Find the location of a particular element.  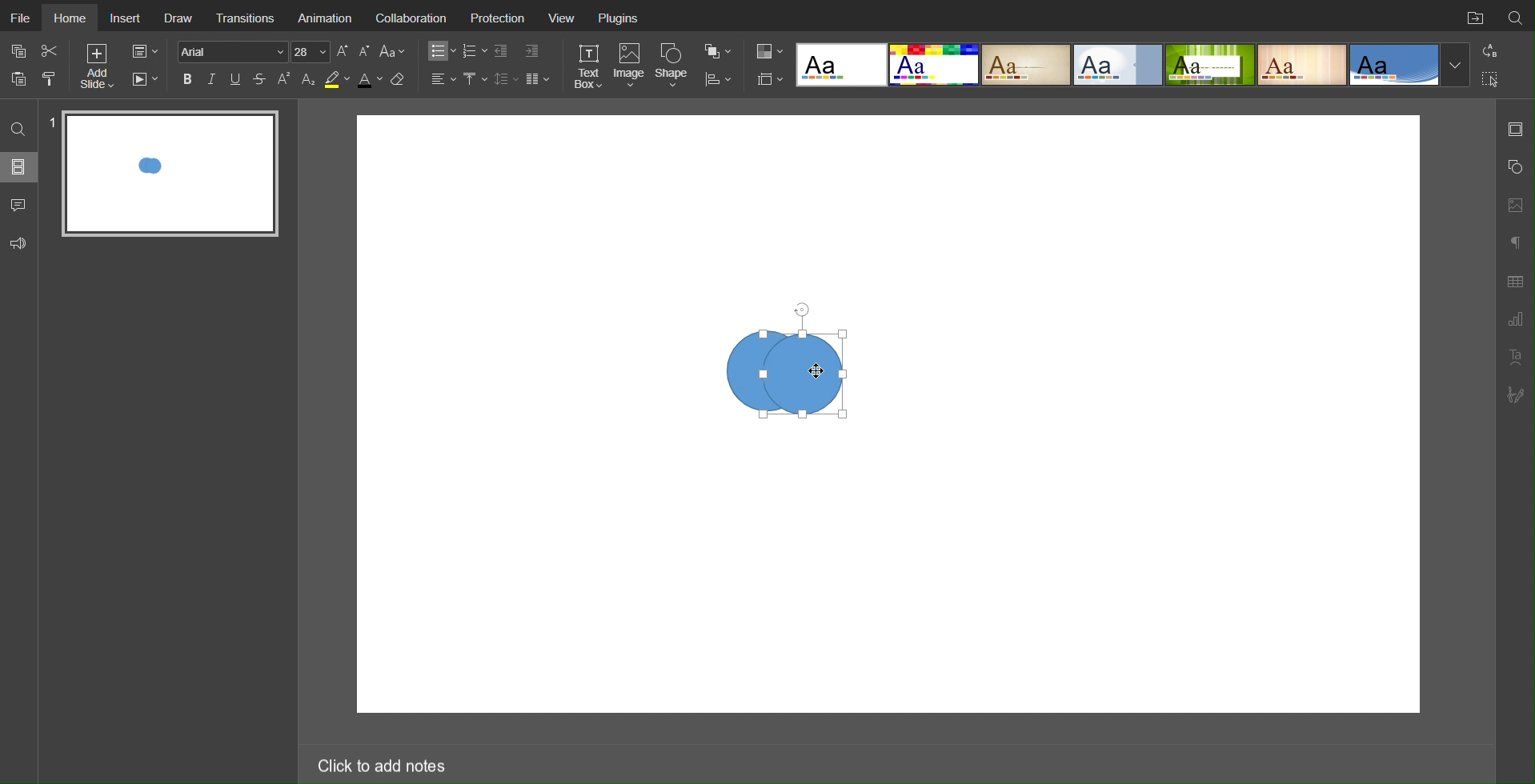

Paragraph Settings is located at coordinates (1514, 240).